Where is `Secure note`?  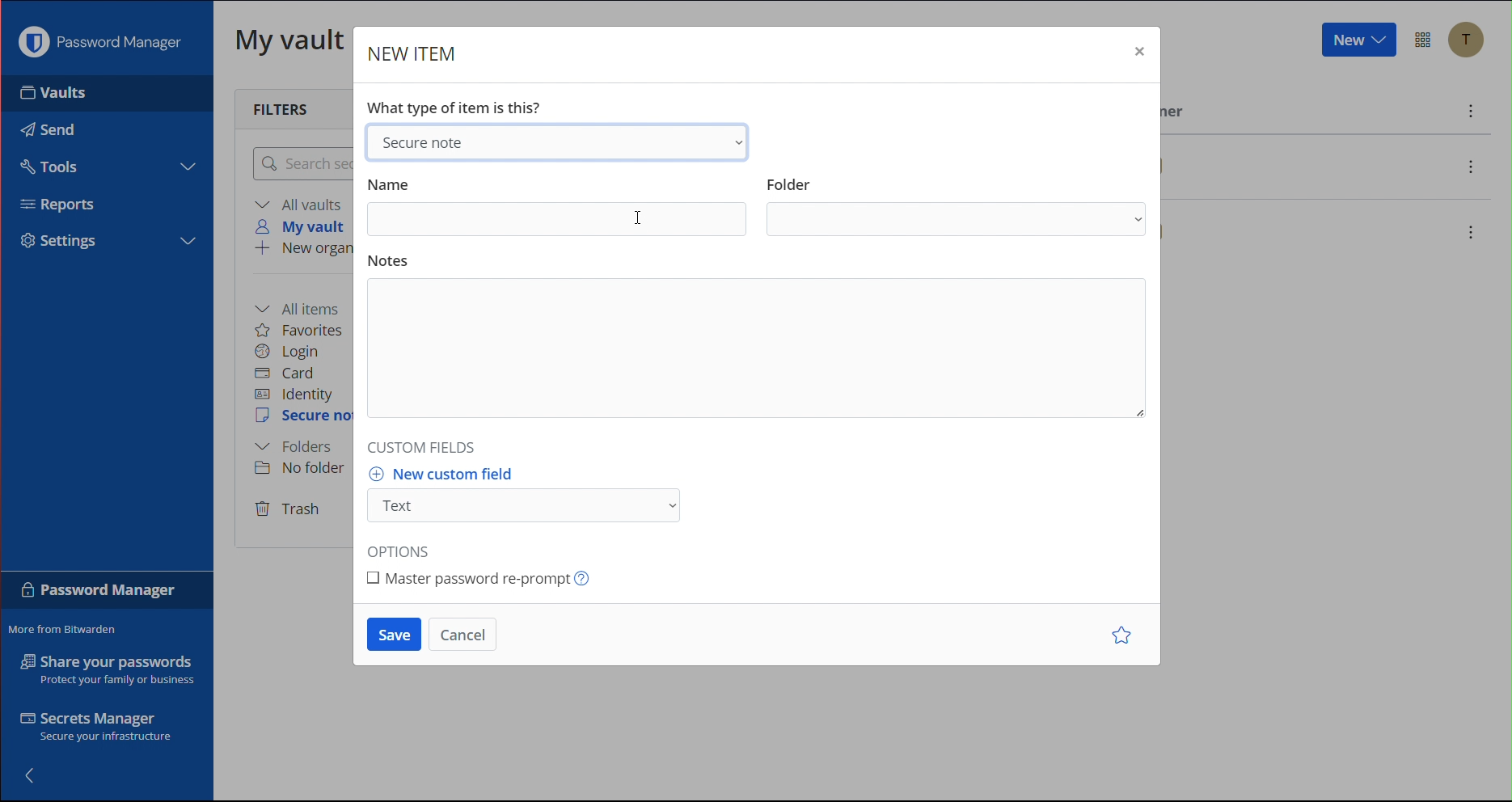
Secure note is located at coordinates (563, 142).